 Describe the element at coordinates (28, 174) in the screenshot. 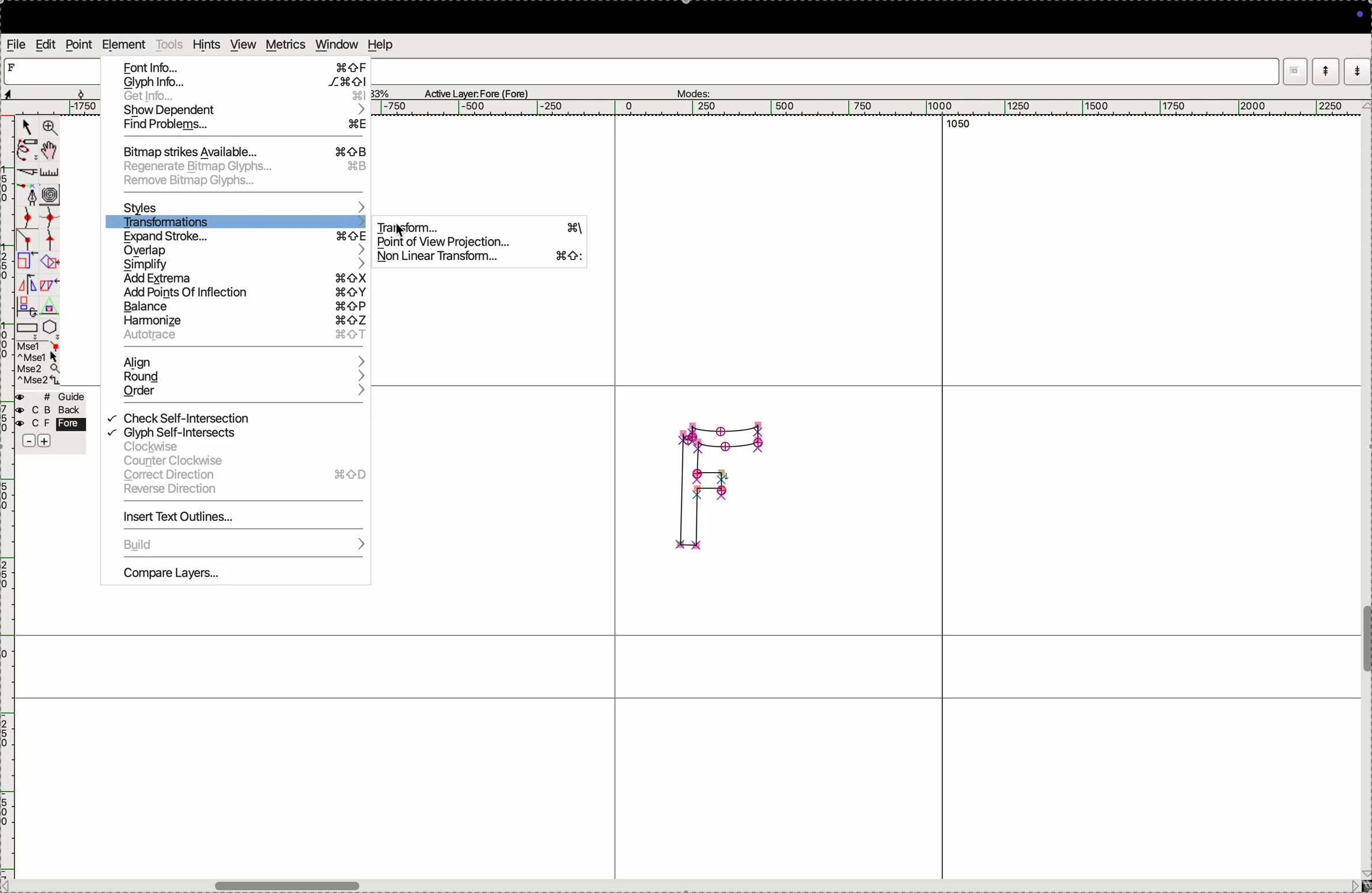

I see `cut` at that location.